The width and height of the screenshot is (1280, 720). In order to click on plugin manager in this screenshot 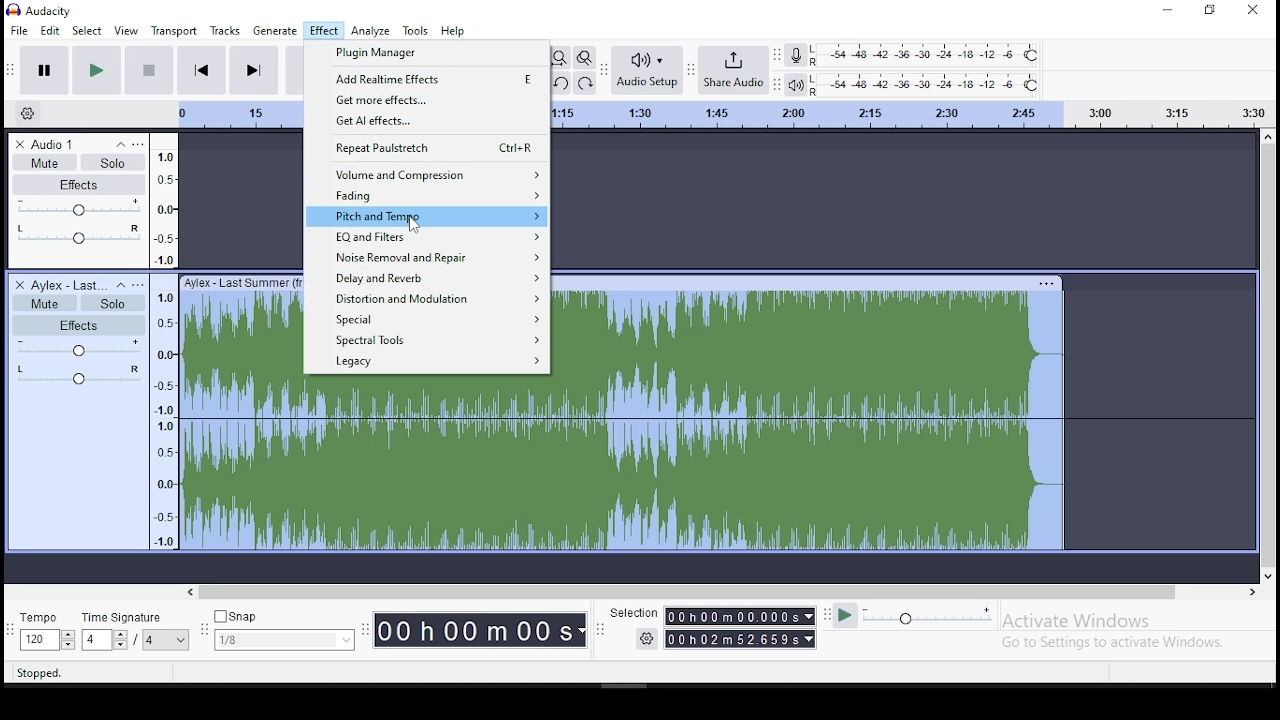, I will do `click(424, 54)`.